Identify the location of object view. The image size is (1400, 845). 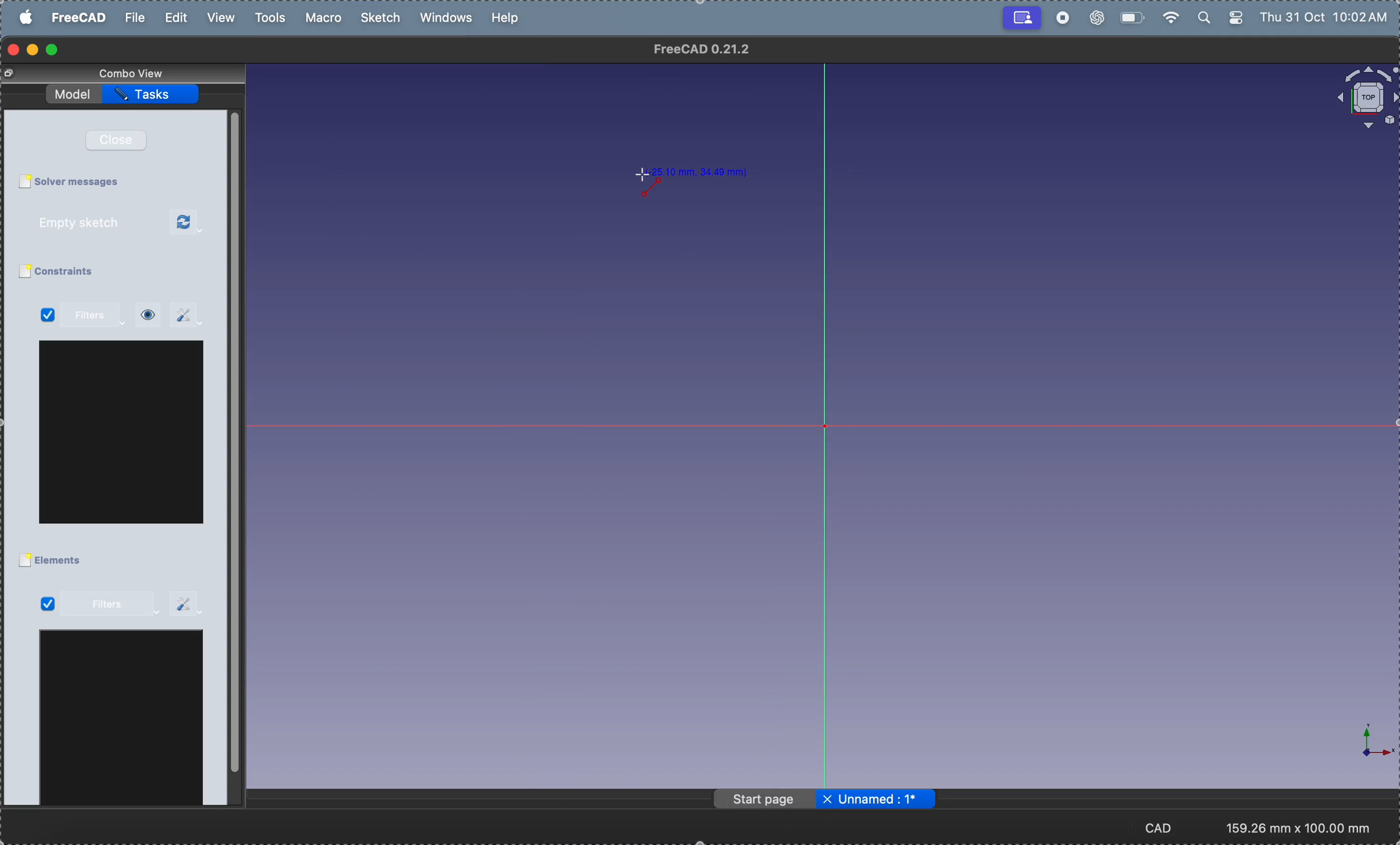
(1365, 98).